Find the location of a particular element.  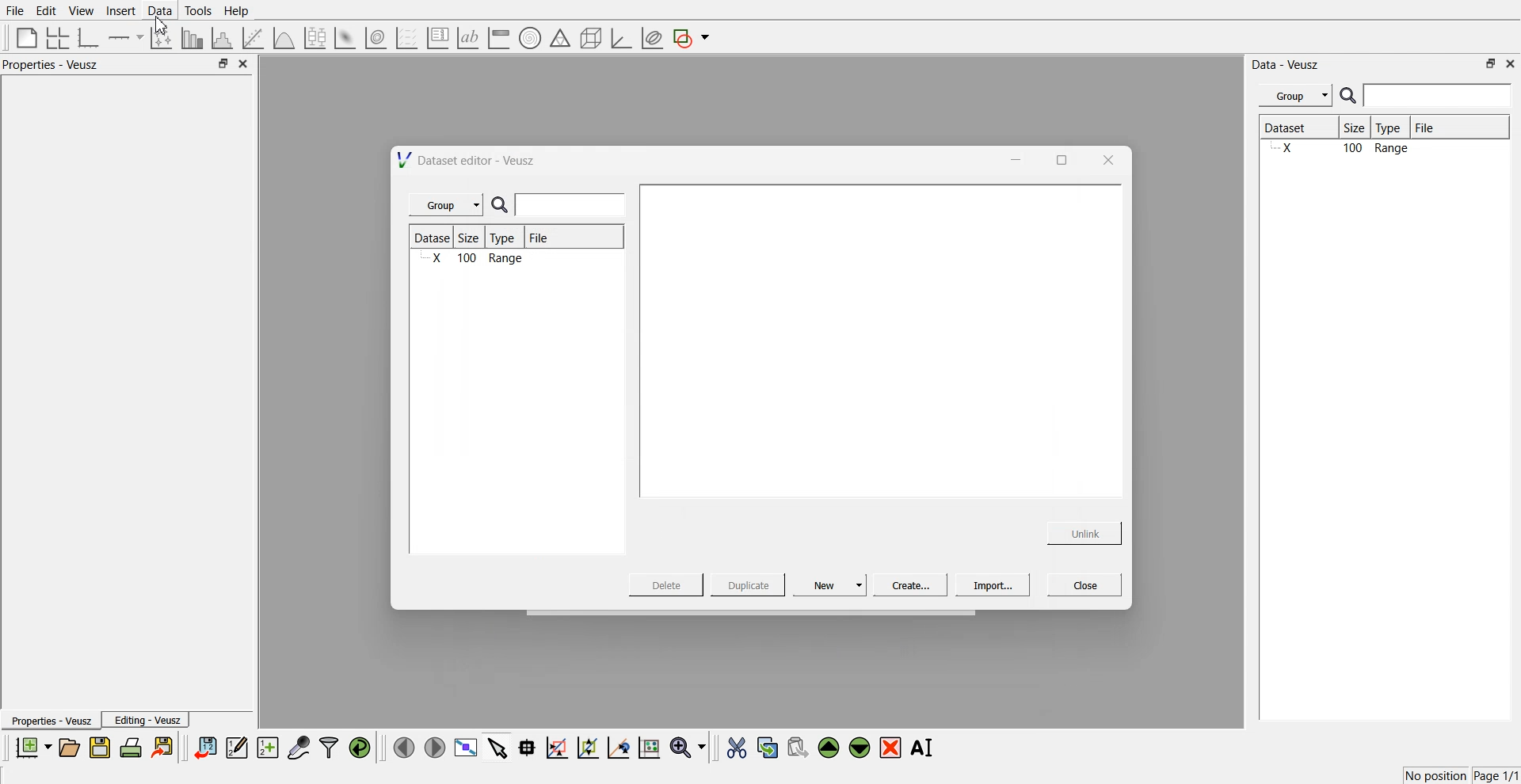

3d shapes is located at coordinates (588, 38).